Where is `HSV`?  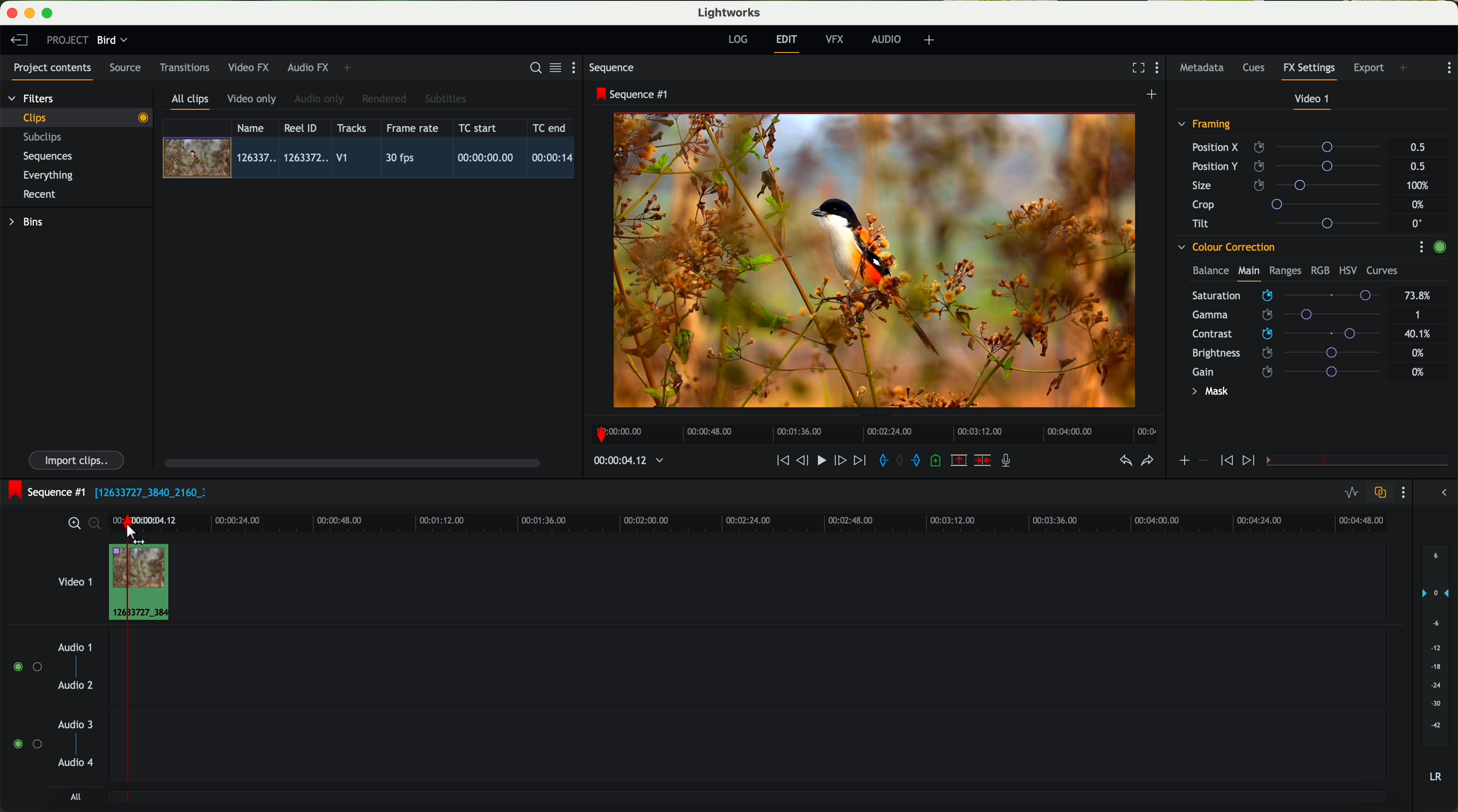
HSV is located at coordinates (1347, 270).